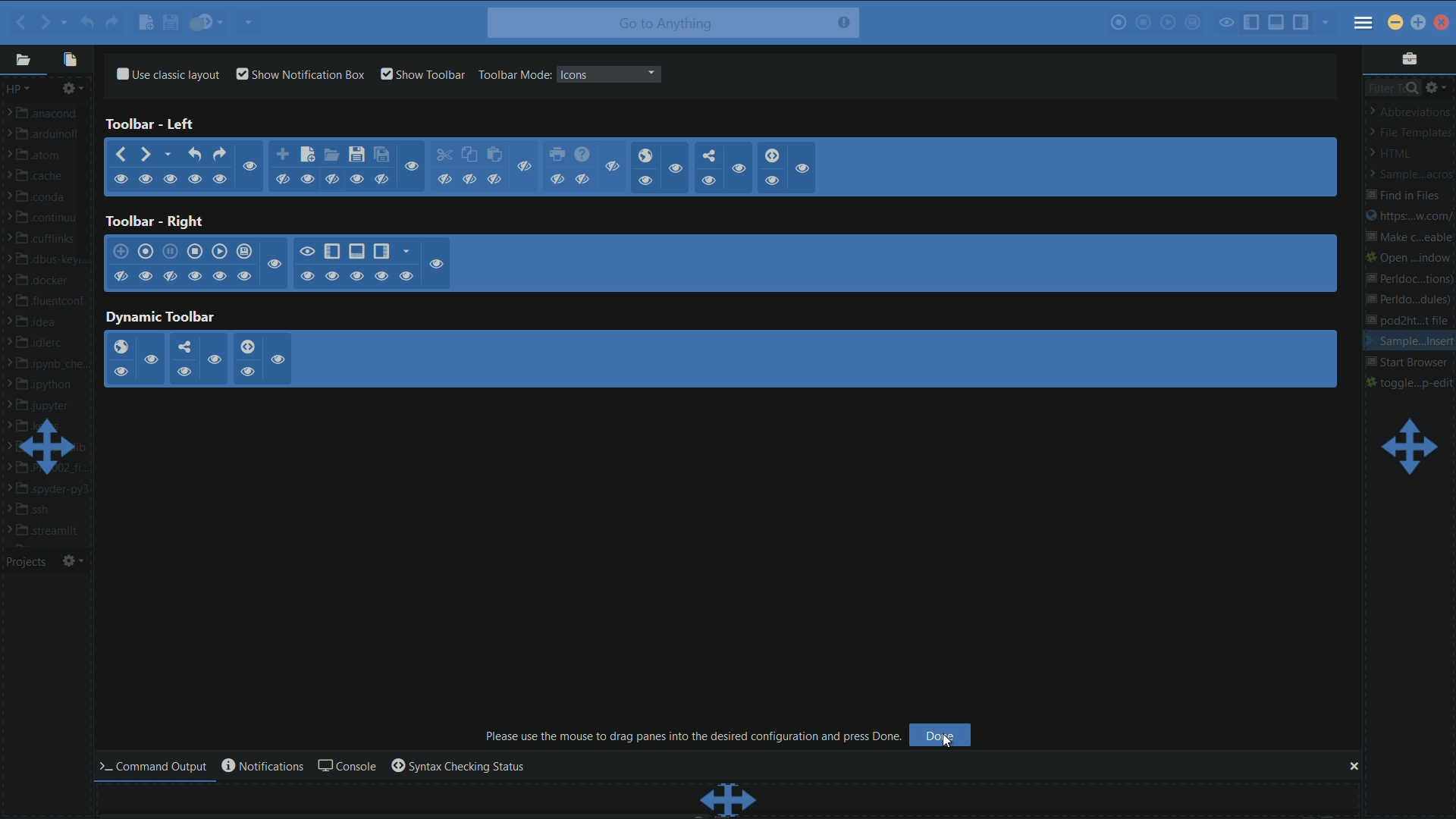 Image resolution: width=1456 pixels, height=819 pixels. Describe the element at coordinates (119, 372) in the screenshot. I see `hide/show` at that location.